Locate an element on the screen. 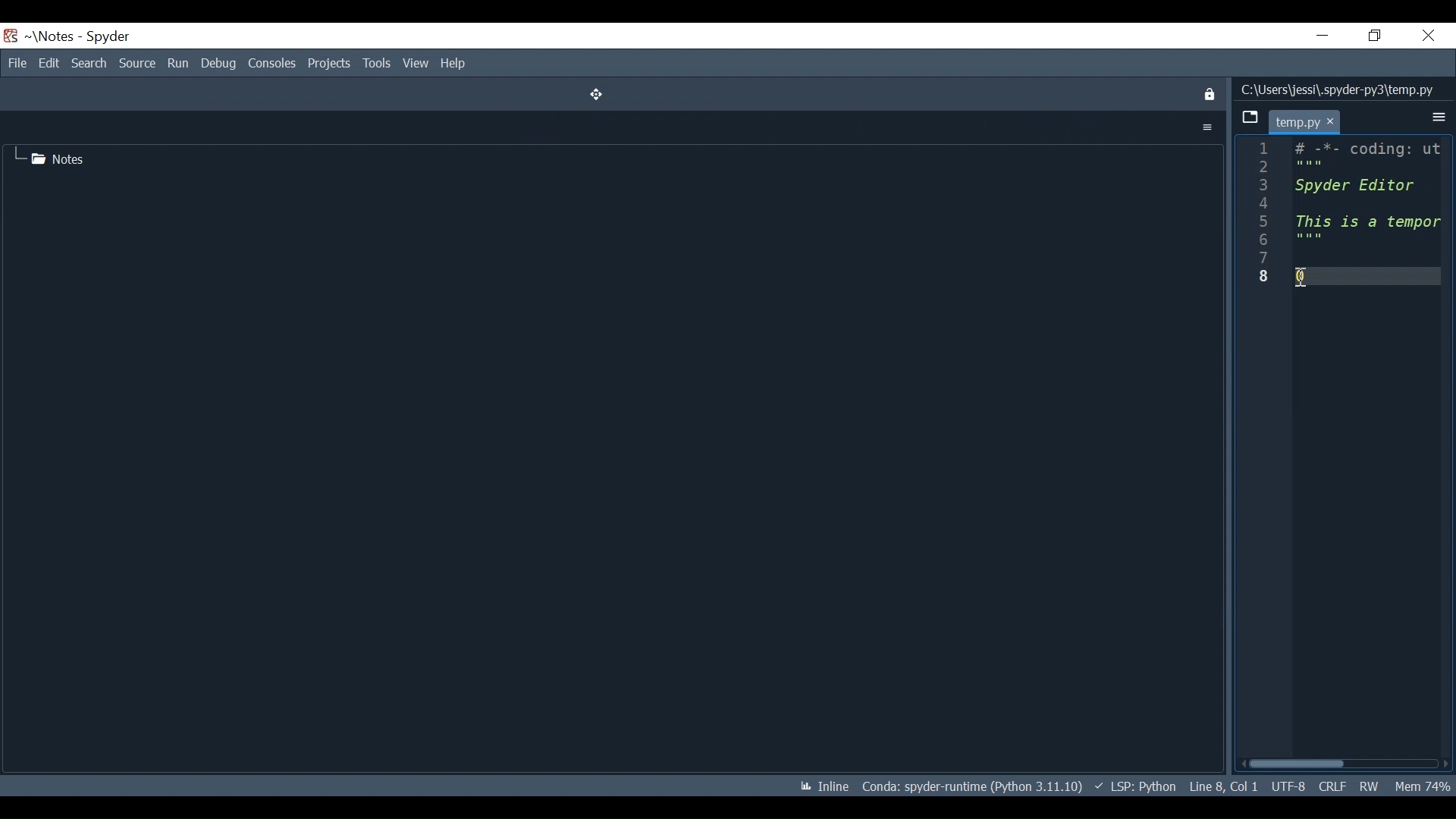 This screenshot has height=819, width=1456. Minimize is located at coordinates (1323, 35).